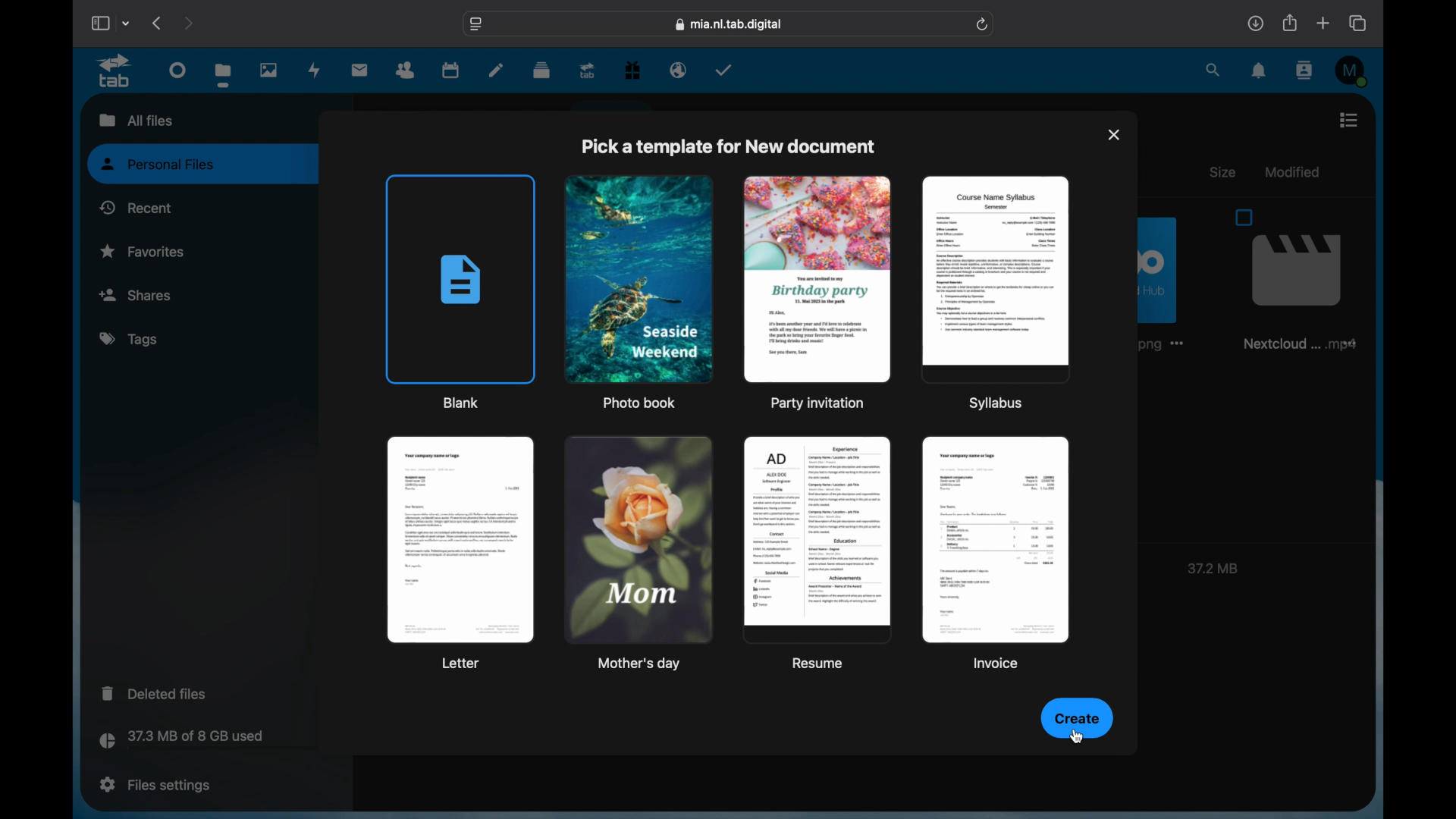 The height and width of the screenshot is (819, 1456). I want to click on deck, so click(541, 71).